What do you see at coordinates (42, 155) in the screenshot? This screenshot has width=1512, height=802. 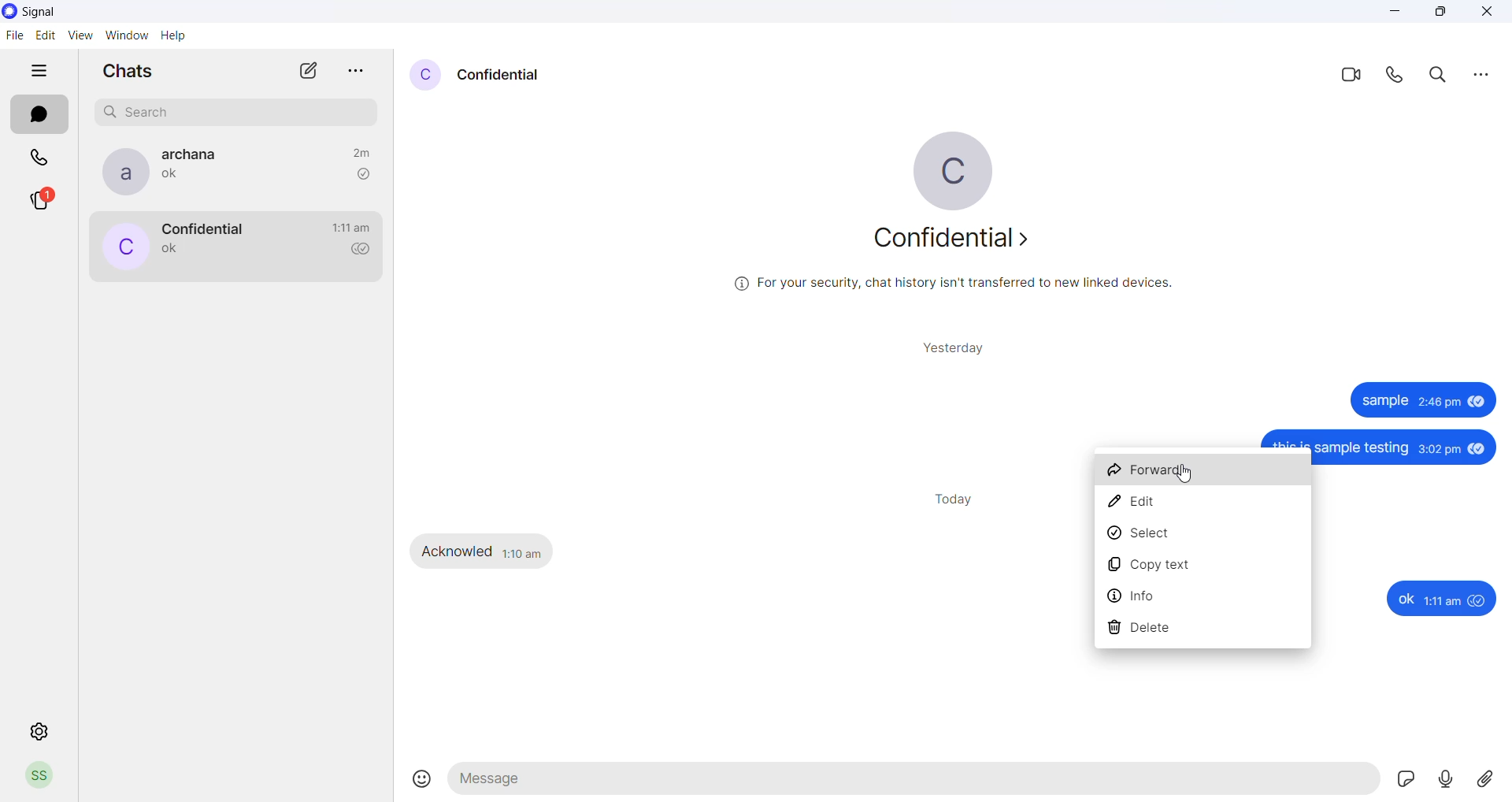 I see `calls` at bounding box center [42, 155].